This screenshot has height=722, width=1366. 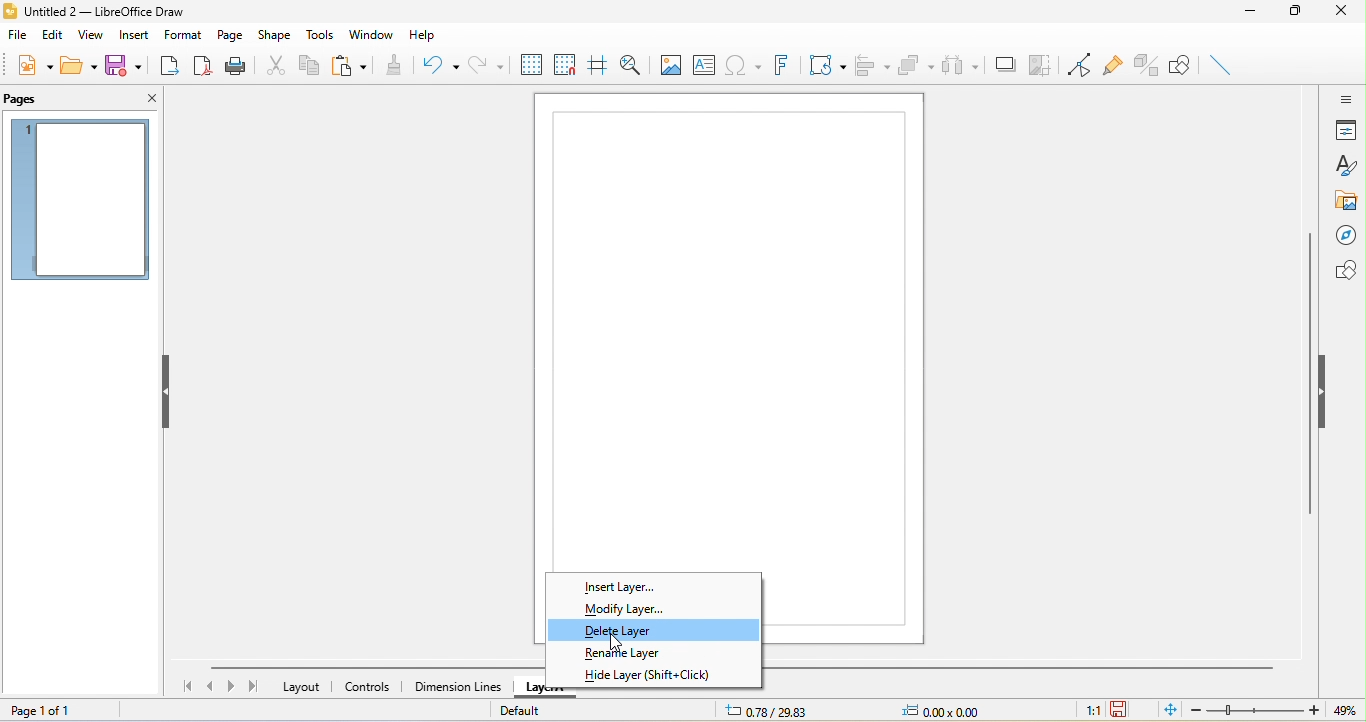 What do you see at coordinates (1083, 711) in the screenshot?
I see `1:1` at bounding box center [1083, 711].